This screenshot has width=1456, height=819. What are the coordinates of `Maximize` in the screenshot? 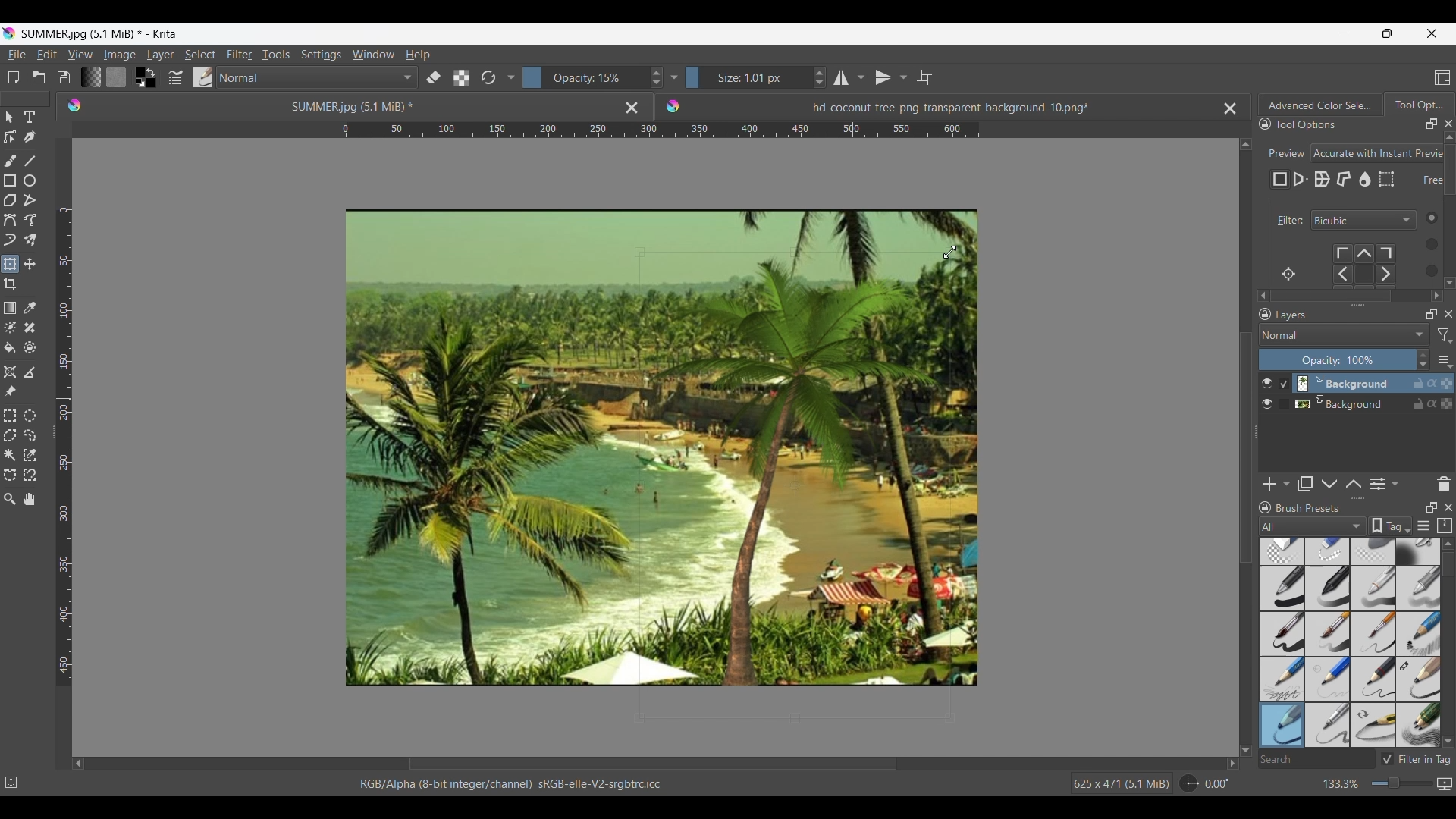 It's located at (1447, 380).